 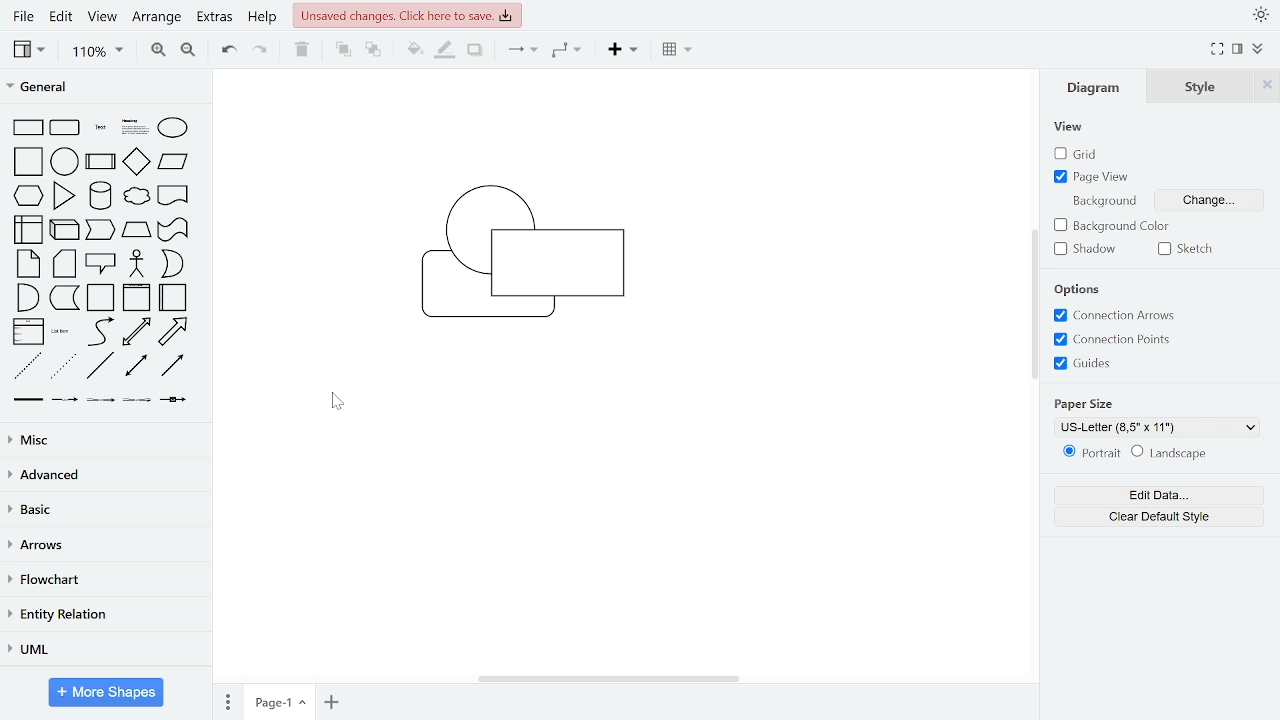 What do you see at coordinates (610, 680) in the screenshot?
I see `horizontal scrollbar` at bounding box center [610, 680].